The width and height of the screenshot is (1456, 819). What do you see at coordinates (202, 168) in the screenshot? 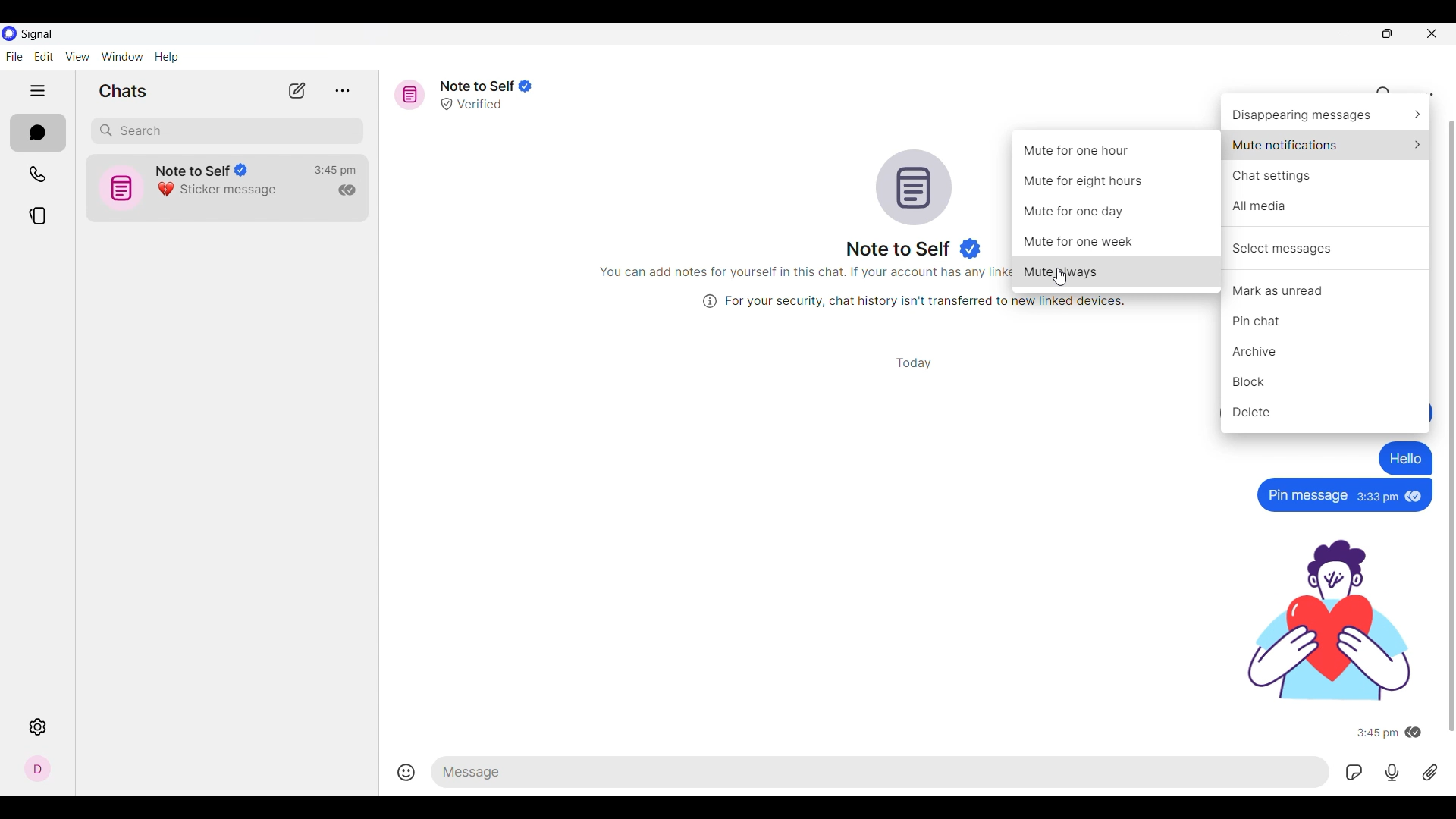
I see `Note to Self ` at bounding box center [202, 168].